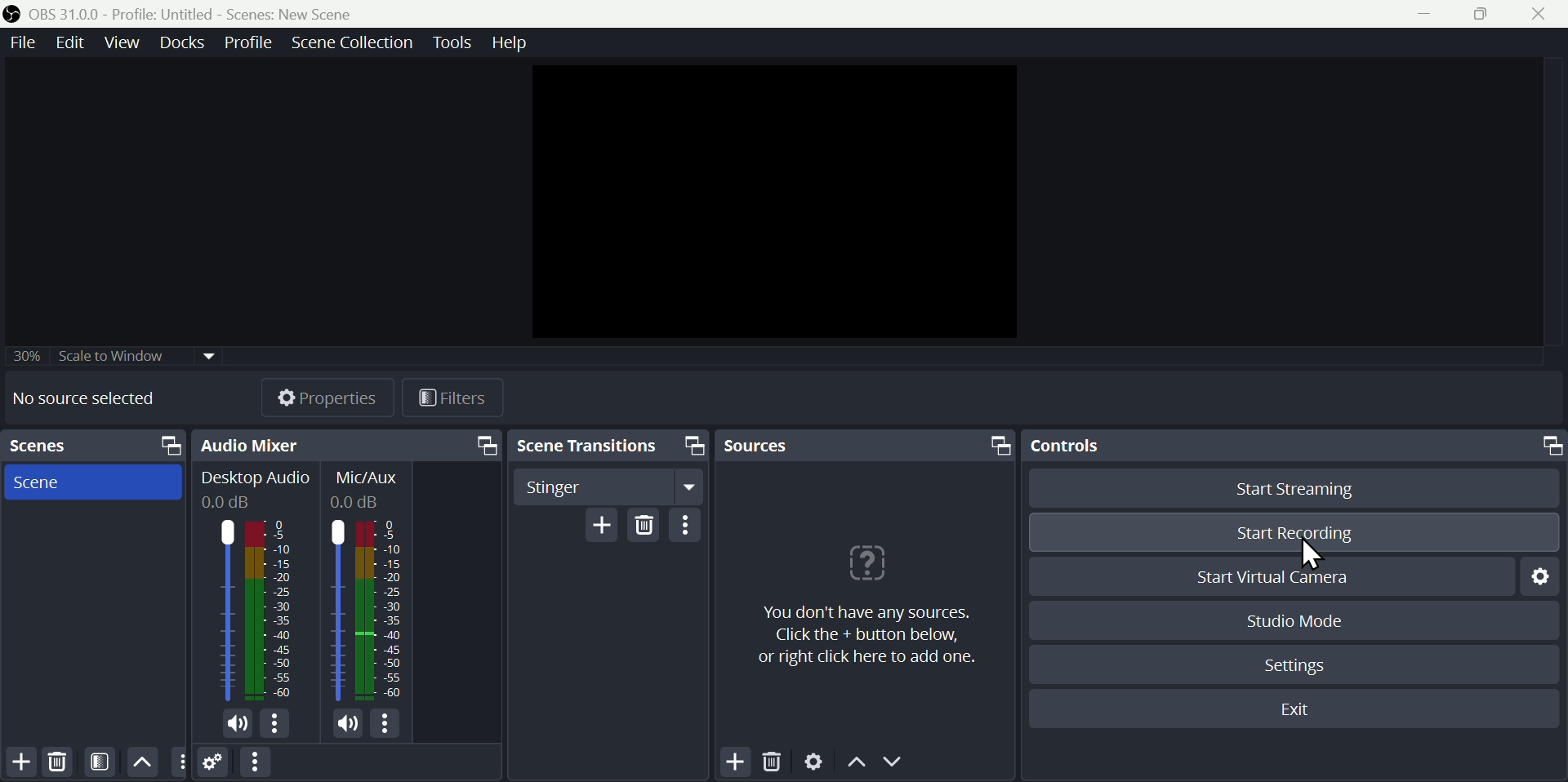 Image resolution: width=1568 pixels, height=782 pixels. Describe the element at coordinates (344, 725) in the screenshot. I see `speakers` at that location.